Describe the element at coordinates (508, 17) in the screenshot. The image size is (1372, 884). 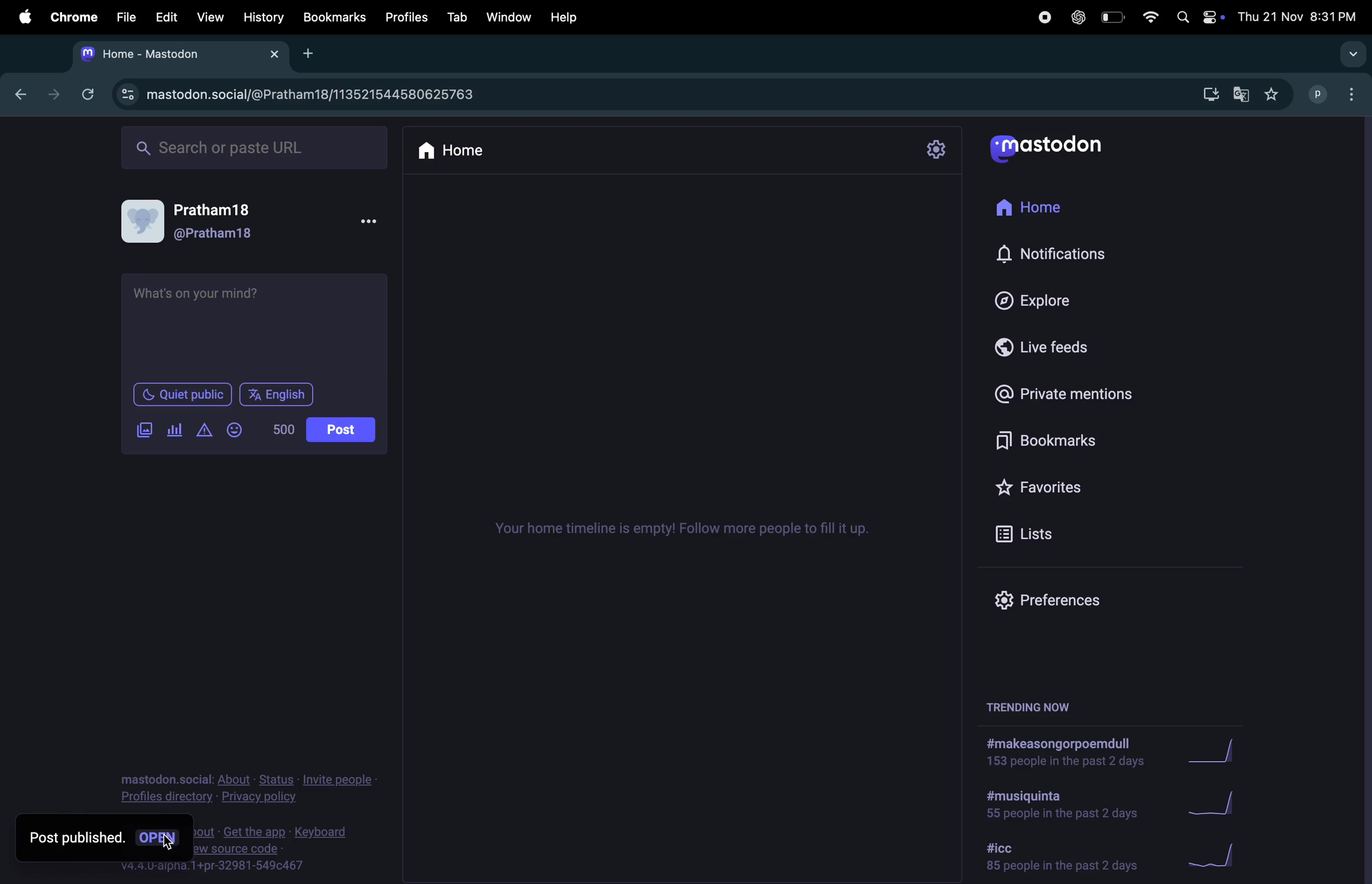
I see `window` at that location.